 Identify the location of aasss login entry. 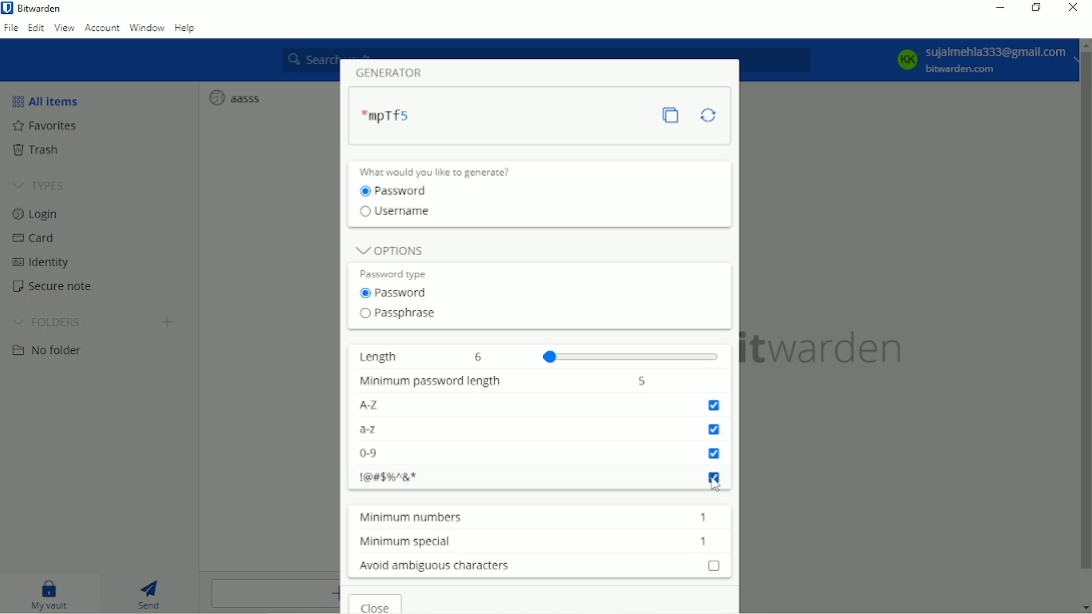
(238, 97).